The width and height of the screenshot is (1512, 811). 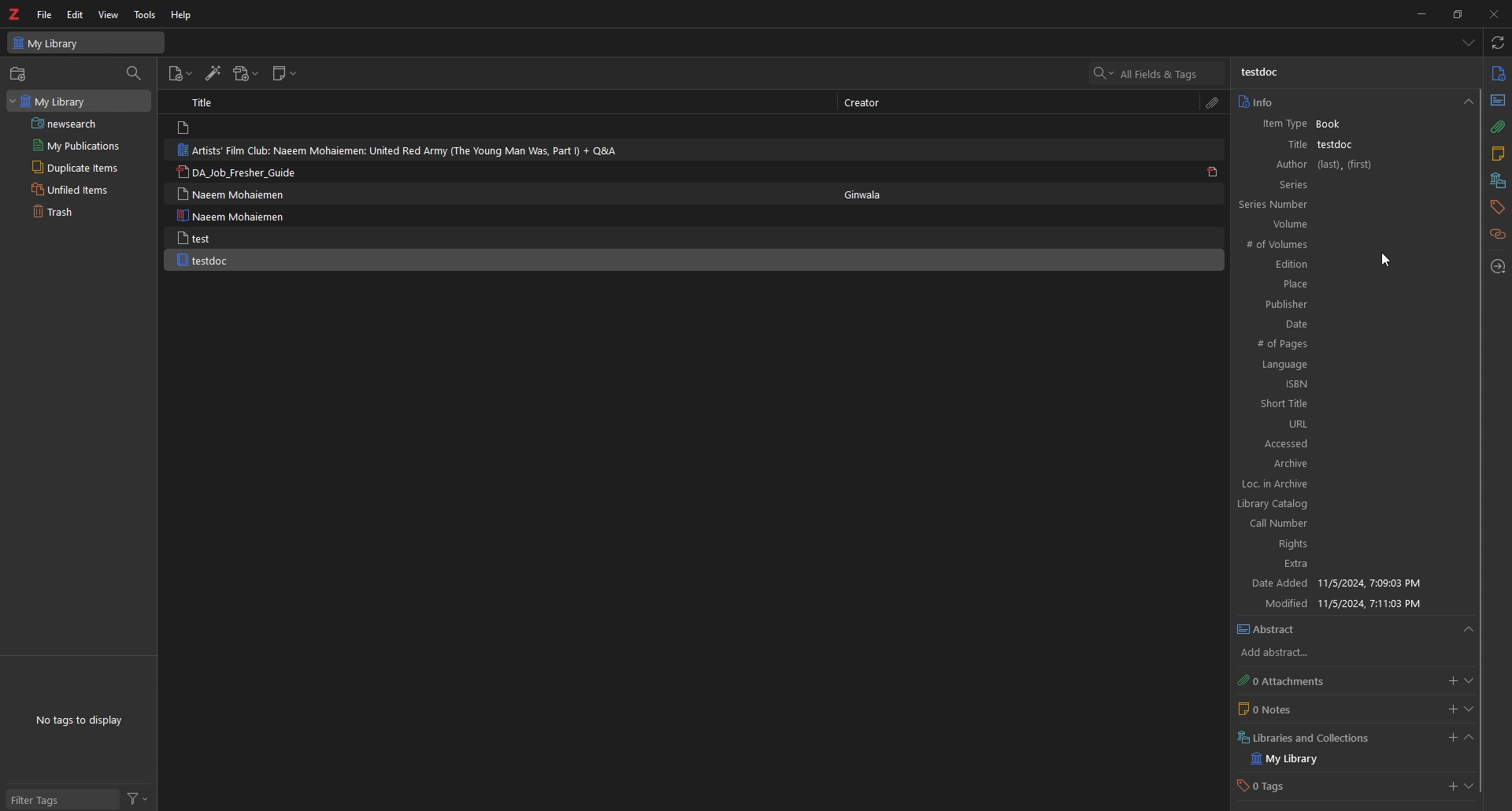 I want to click on Duplicate items, so click(x=80, y=167).